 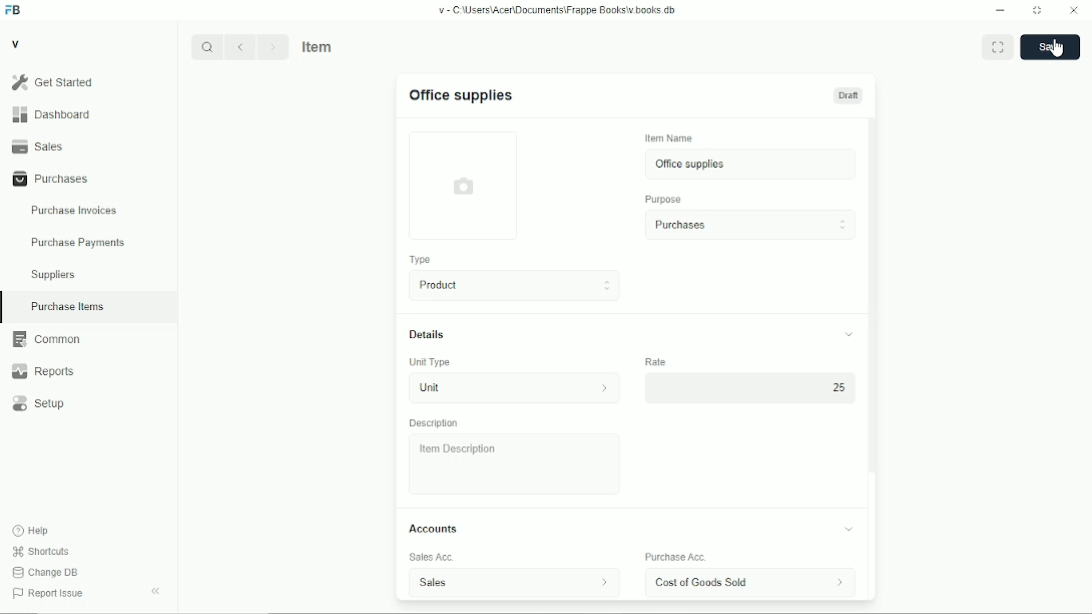 What do you see at coordinates (38, 146) in the screenshot?
I see `sales` at bounding box center [38, 146].